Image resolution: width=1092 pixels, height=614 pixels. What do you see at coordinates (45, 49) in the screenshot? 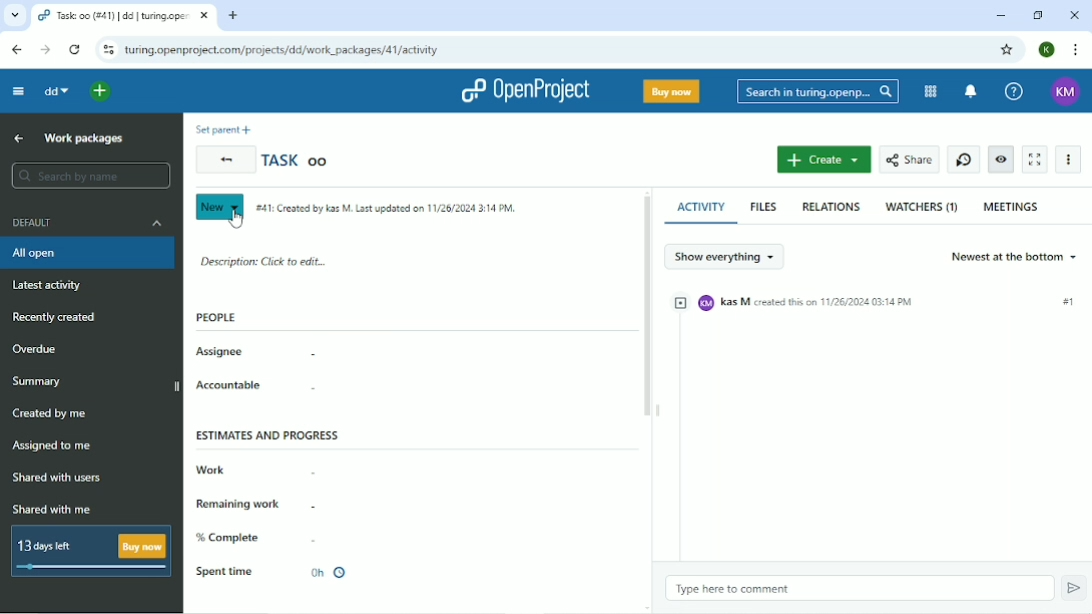
I see `Forward` at bounding box center [45, 49].